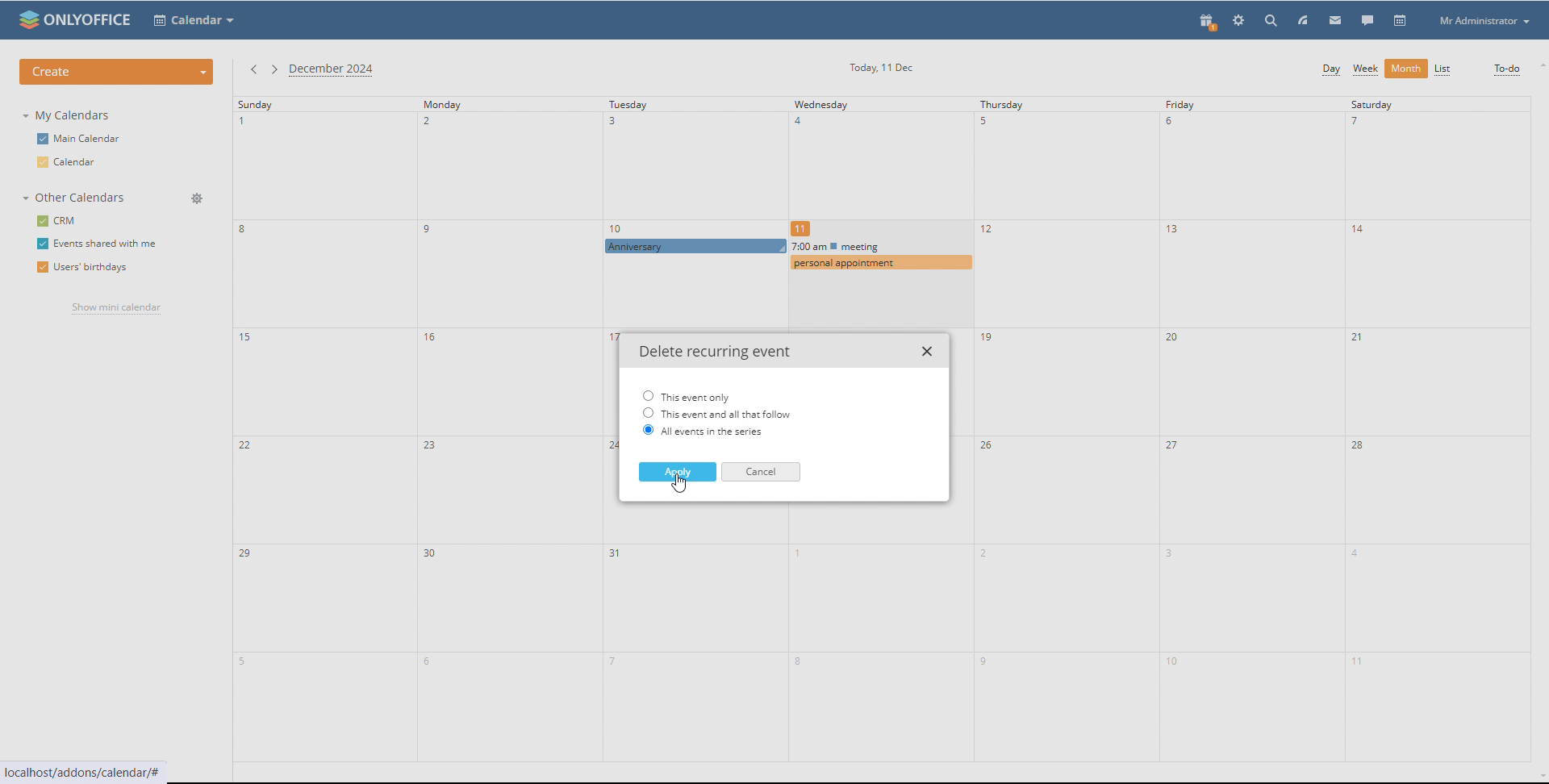 Image resolution: width=1549 pixels, height=784 pixels. I want to click on Wednesday, so click(875, 163).